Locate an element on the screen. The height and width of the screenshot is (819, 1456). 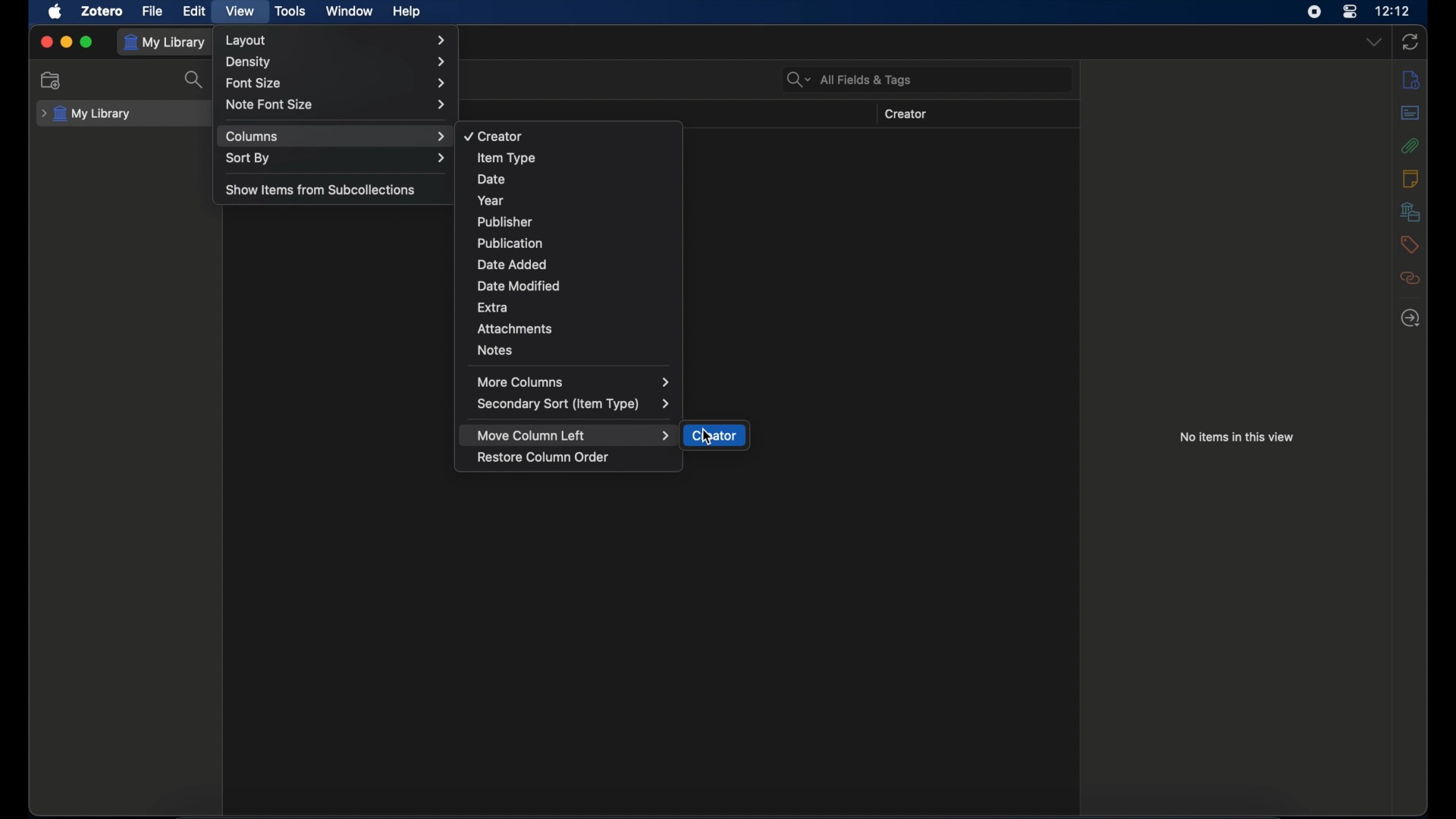
creator is located at coordinates (492, 136).